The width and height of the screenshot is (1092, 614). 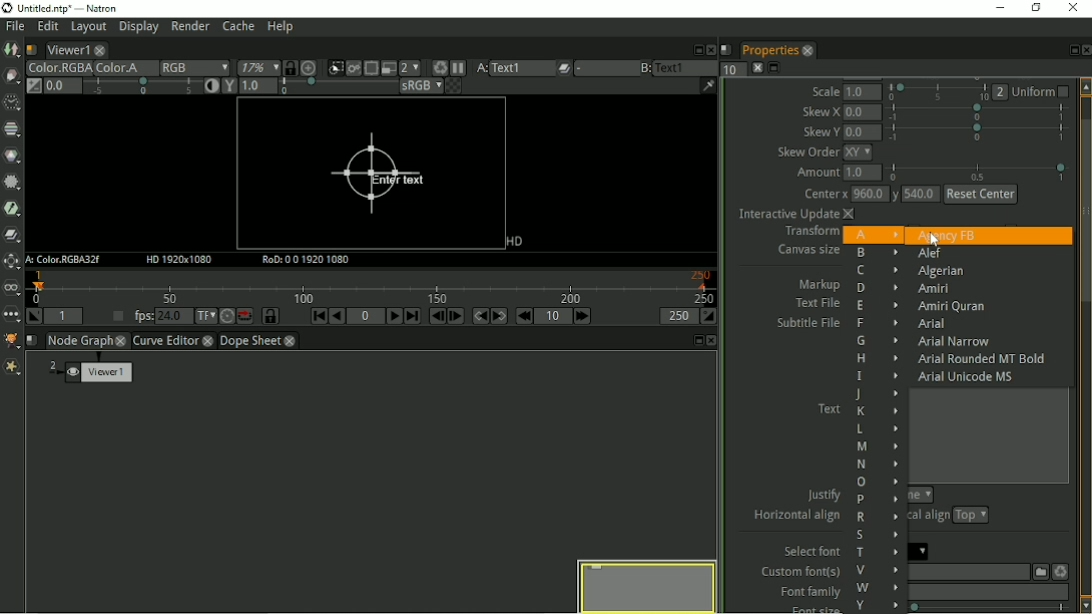 I want to click on Scale image, so click(x=312, y=68).